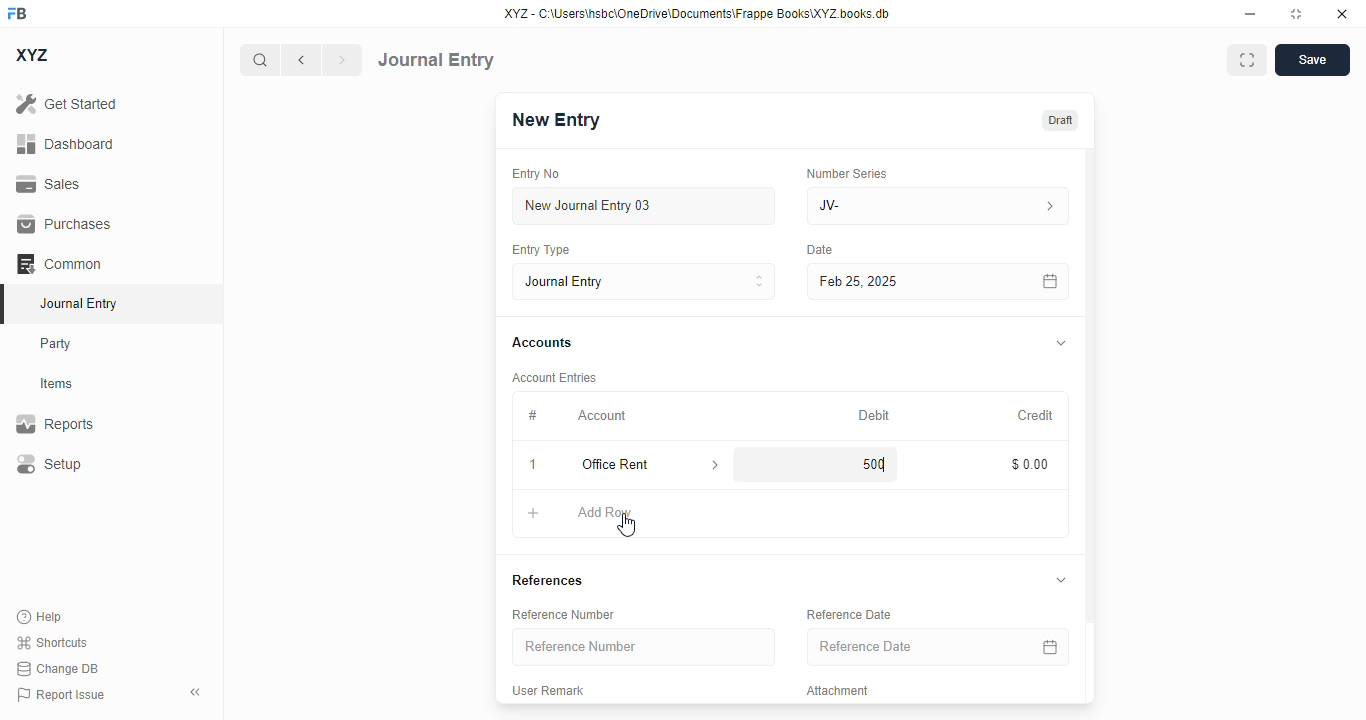 The image size is (1366, 720). Describe the element at coordinates (547, 580) in the screenshot. I see `references` at that location.